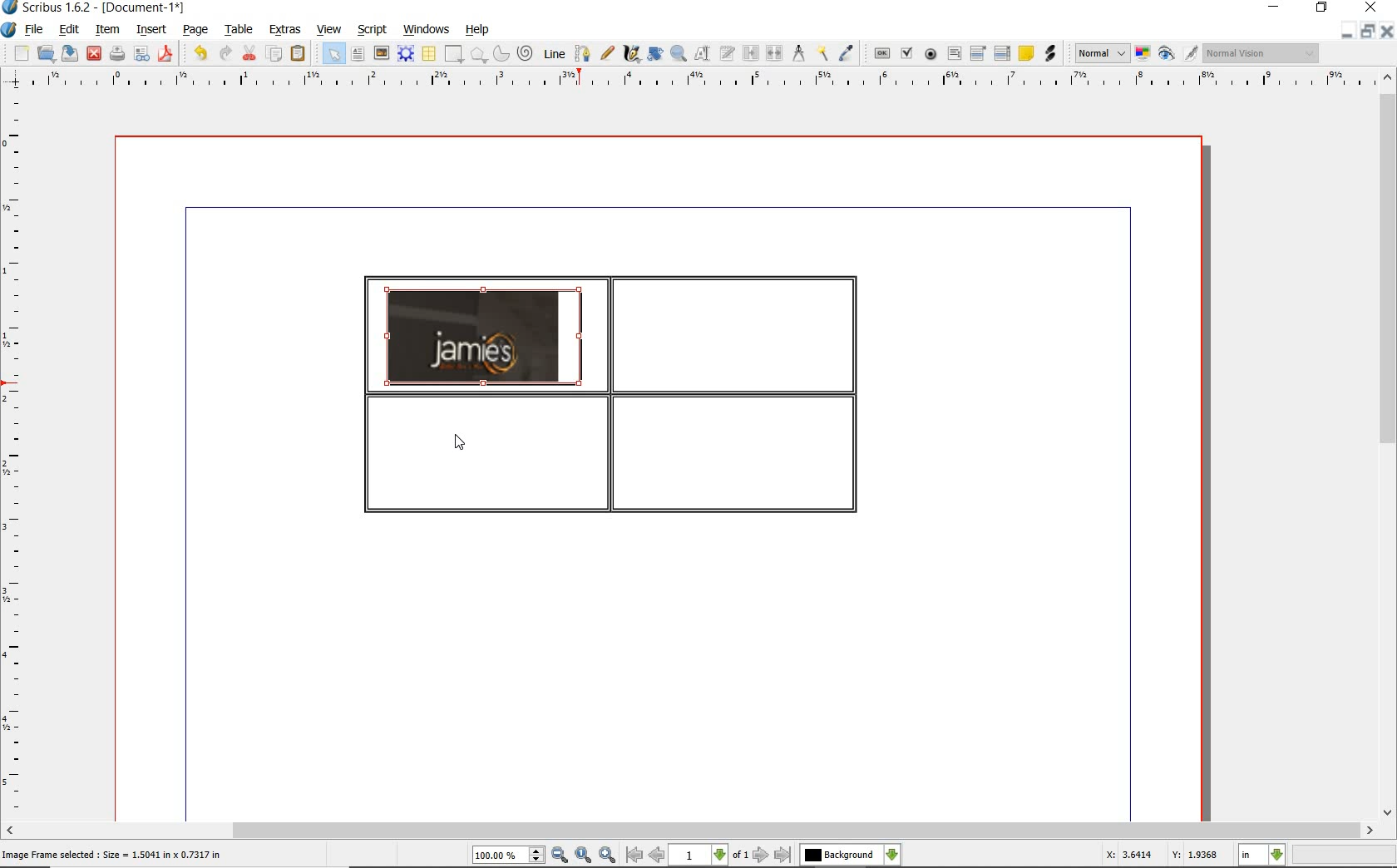 The width and height of the screenshot is (1397, 868). I want to click on cursor, so click(462, 443).